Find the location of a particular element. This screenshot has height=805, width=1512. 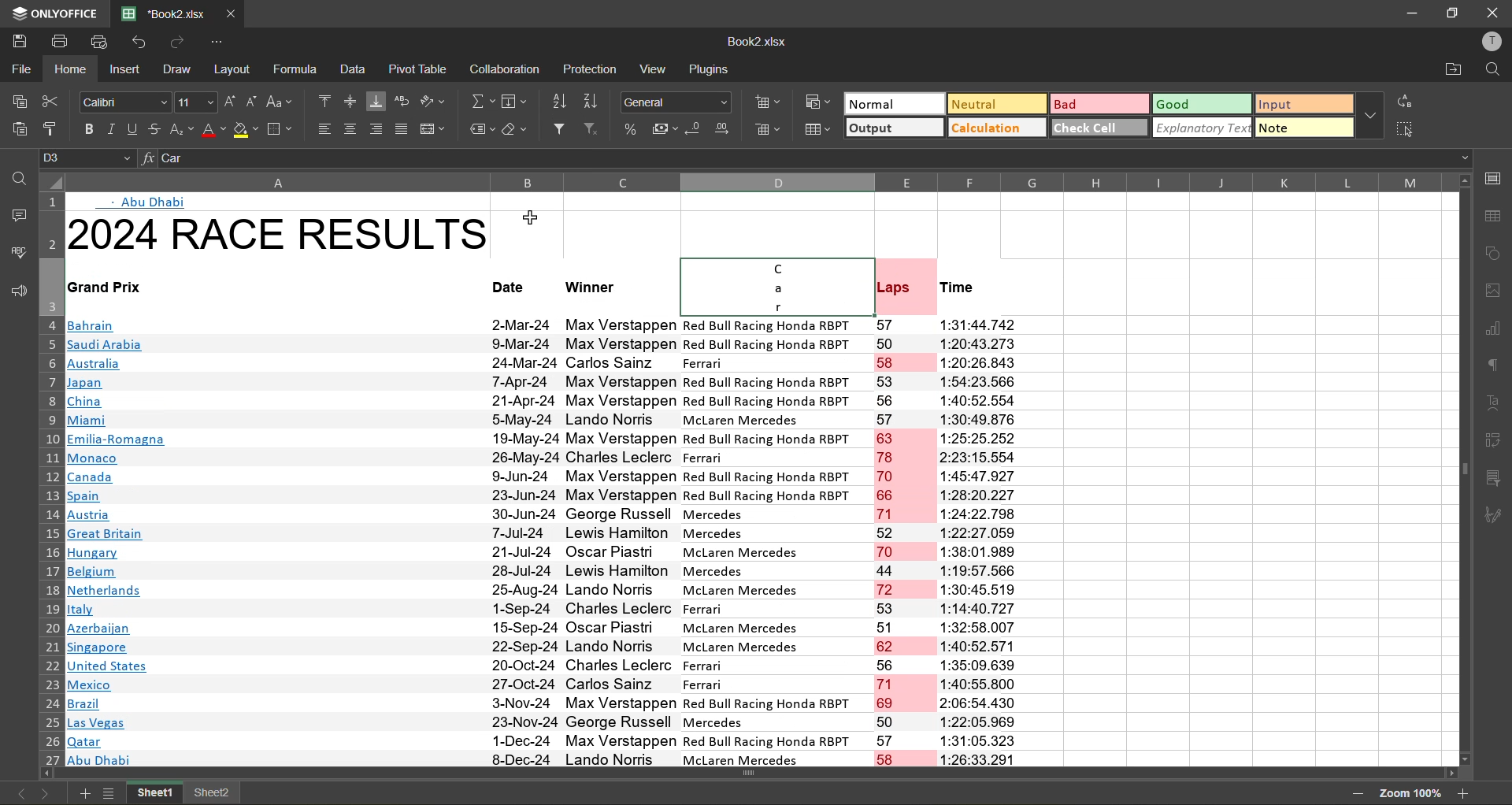

summation is located at coordinates (480, 103).